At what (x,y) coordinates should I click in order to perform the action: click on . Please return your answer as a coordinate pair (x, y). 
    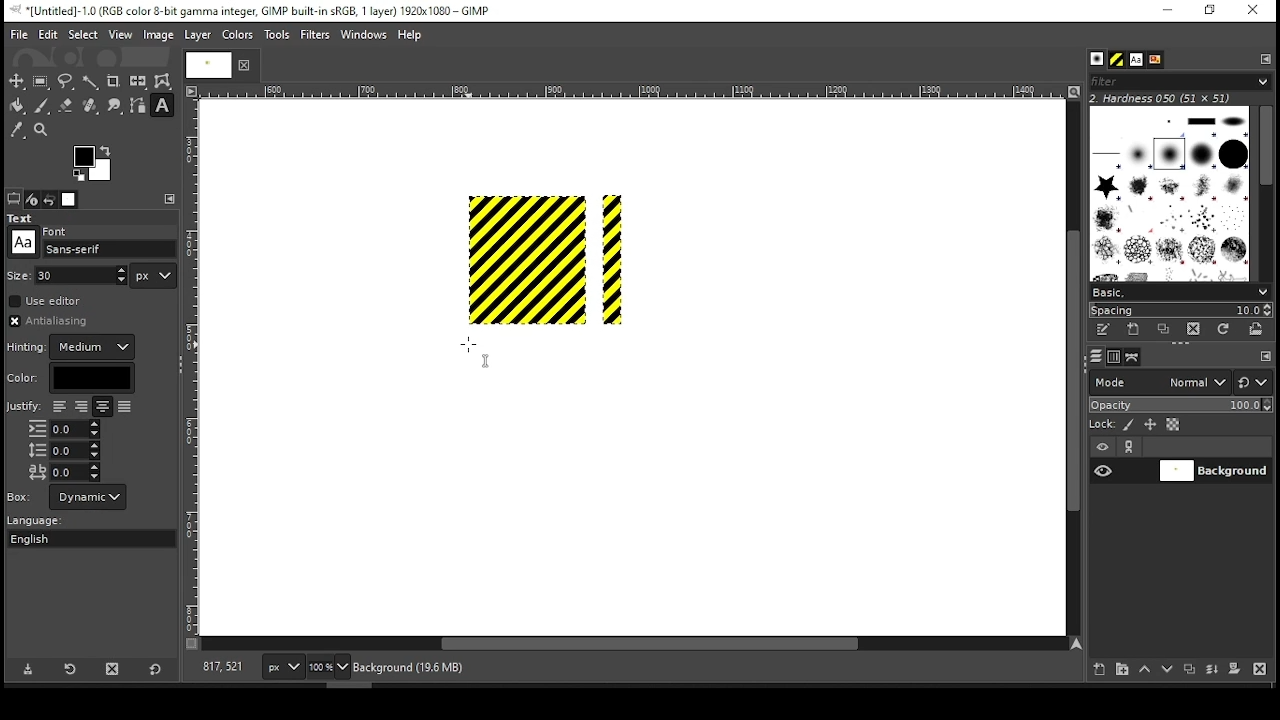
    Looking at the image, I should click on (23, 242).